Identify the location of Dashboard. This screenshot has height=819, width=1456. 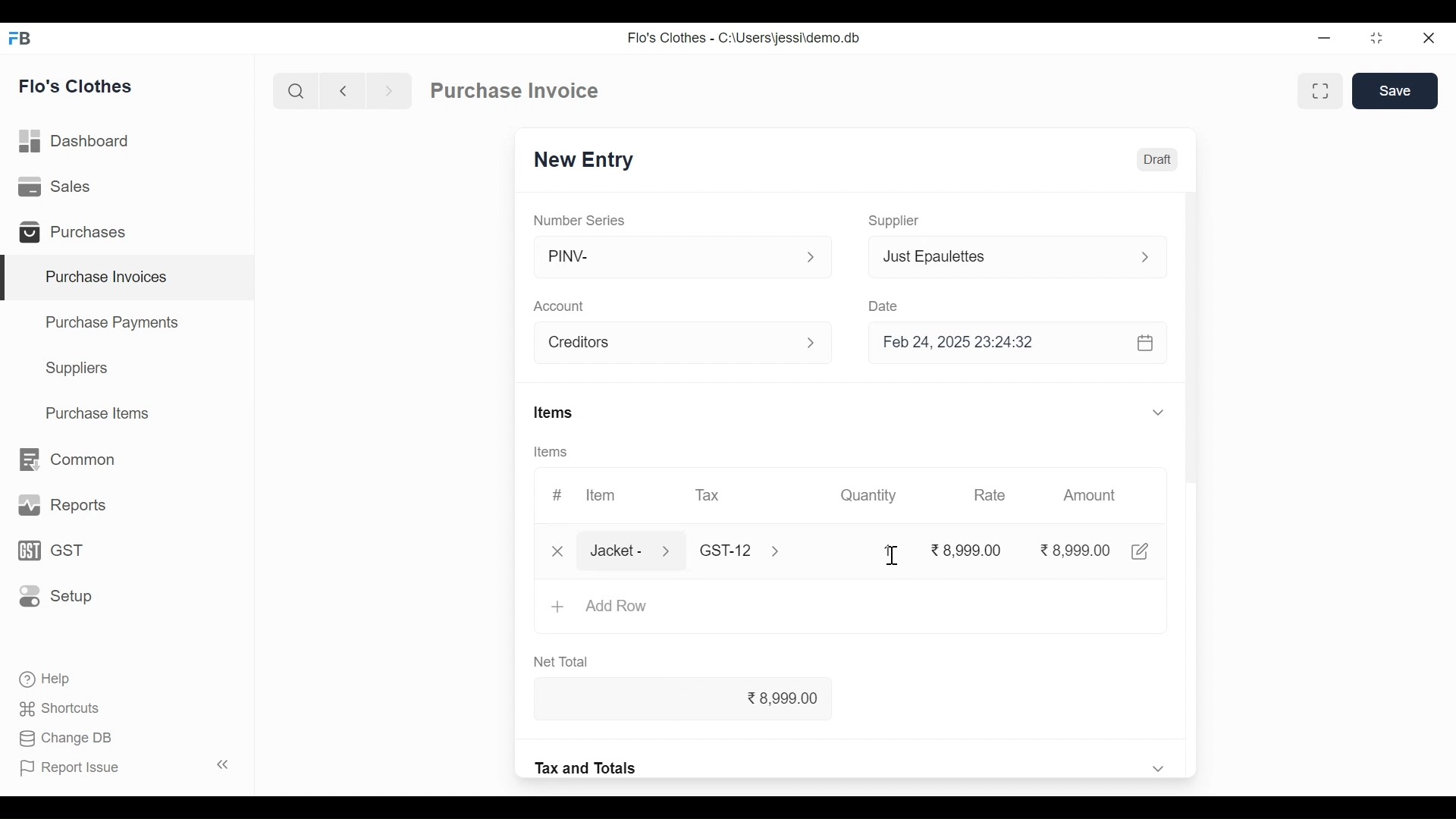
(82, 142).